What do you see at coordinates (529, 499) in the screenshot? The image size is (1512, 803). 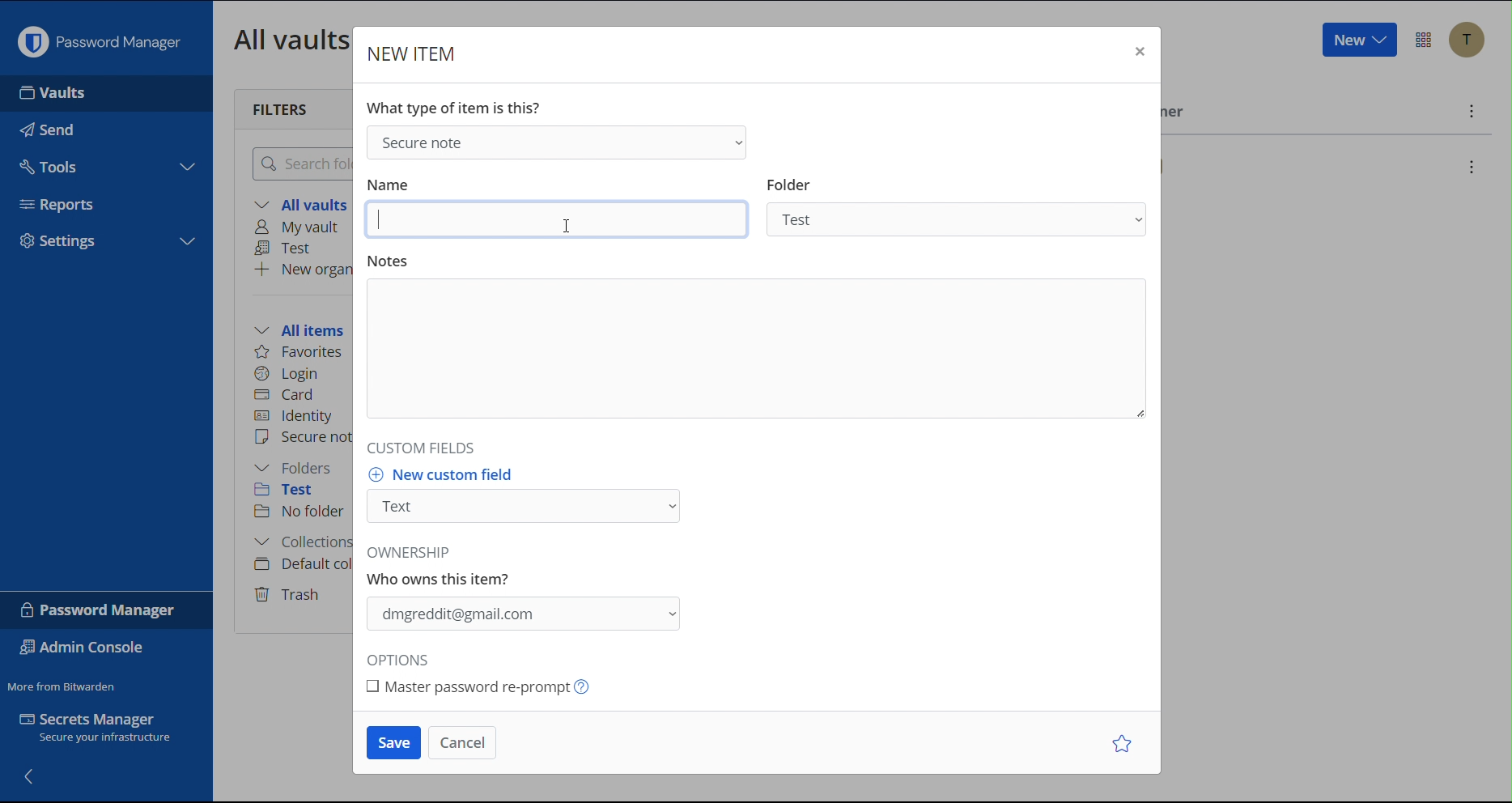 I see `New custom Field` at bounding box center [529, 499].